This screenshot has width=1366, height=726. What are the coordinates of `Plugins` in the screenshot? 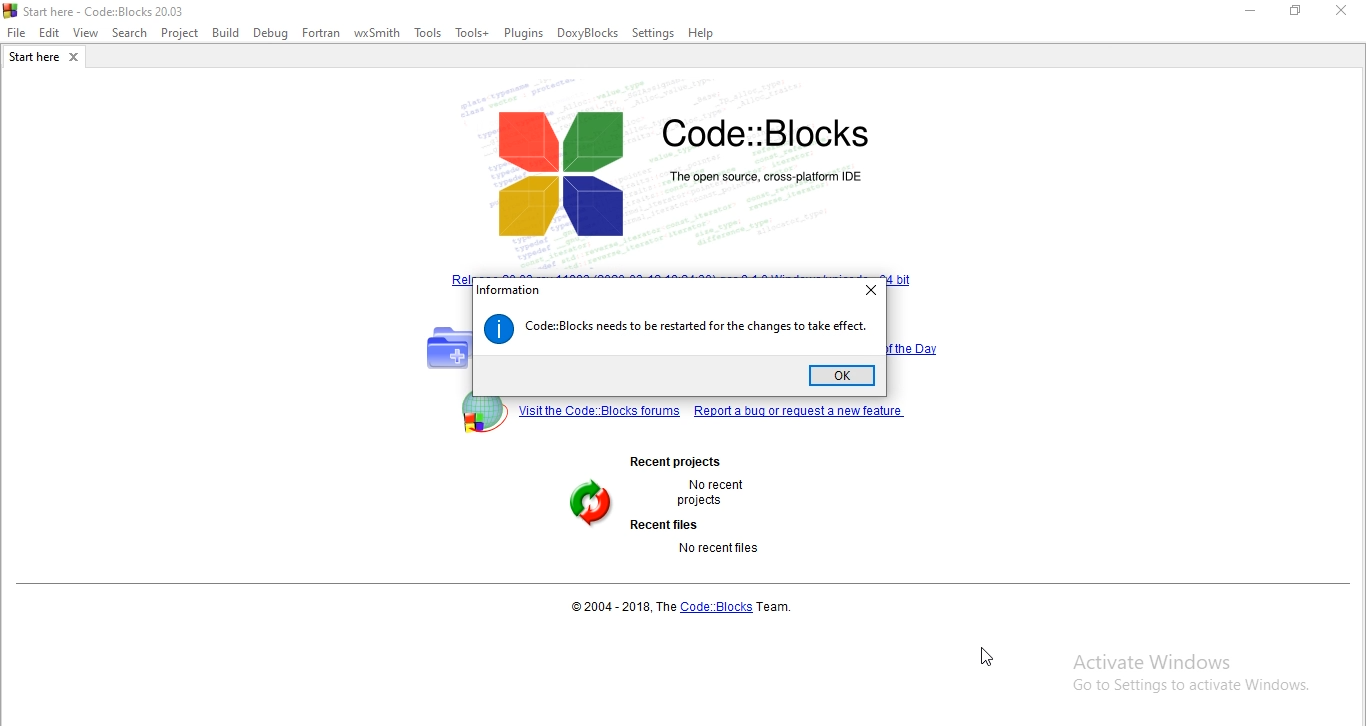 It's located at (524, 33).